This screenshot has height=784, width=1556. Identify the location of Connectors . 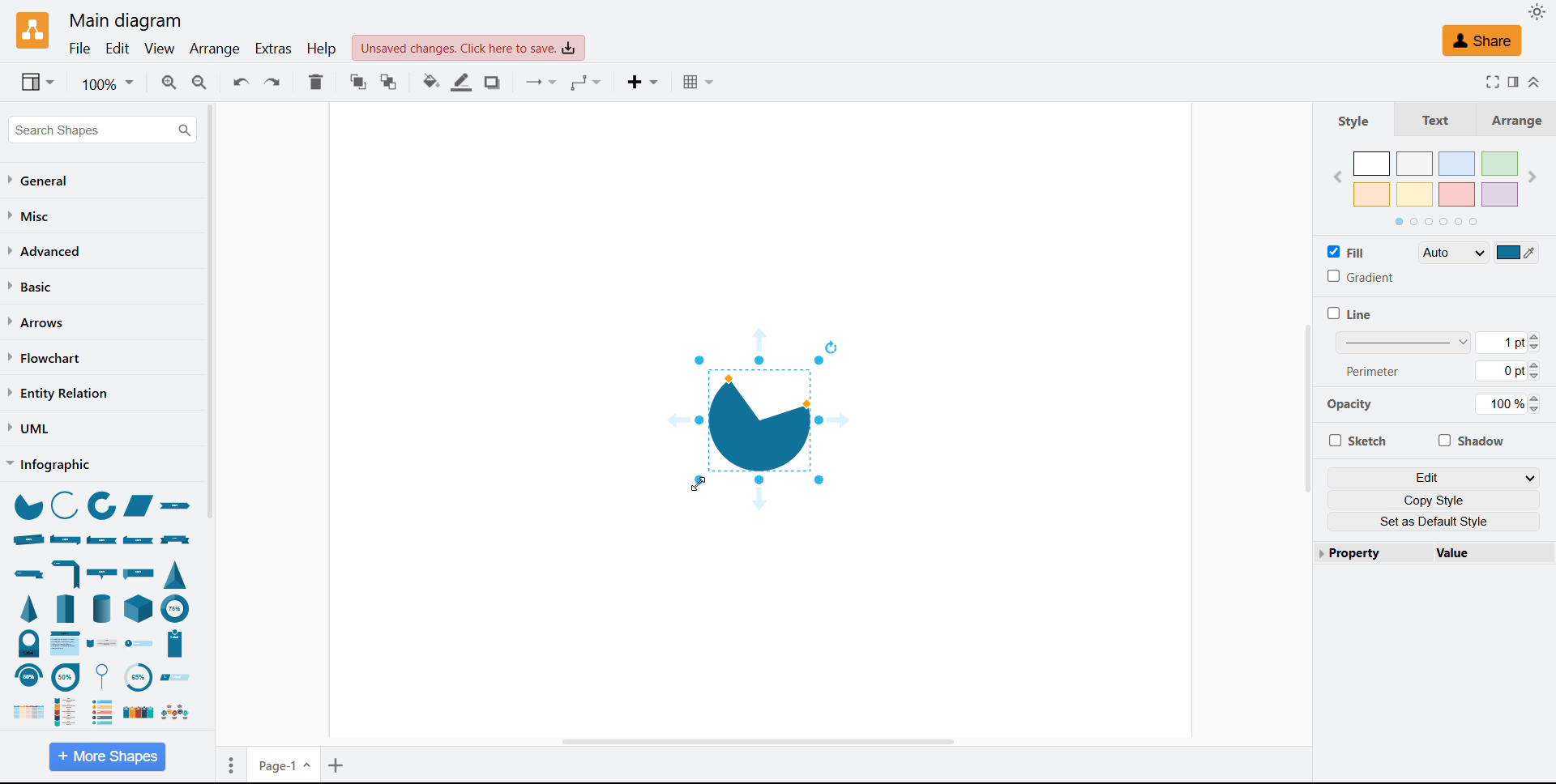
(544, 83).